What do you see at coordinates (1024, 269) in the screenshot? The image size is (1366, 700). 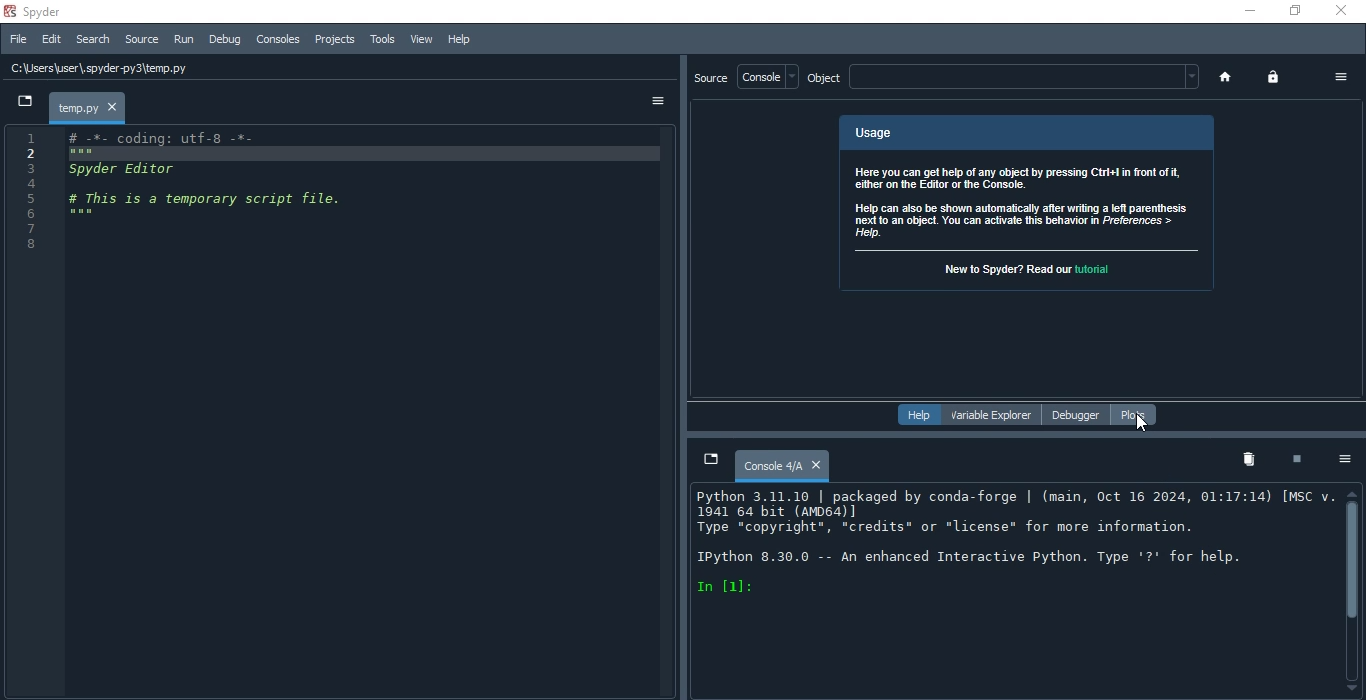 I see `New to Spyder? Read our tutorial` at bounding box center [1024, 269].